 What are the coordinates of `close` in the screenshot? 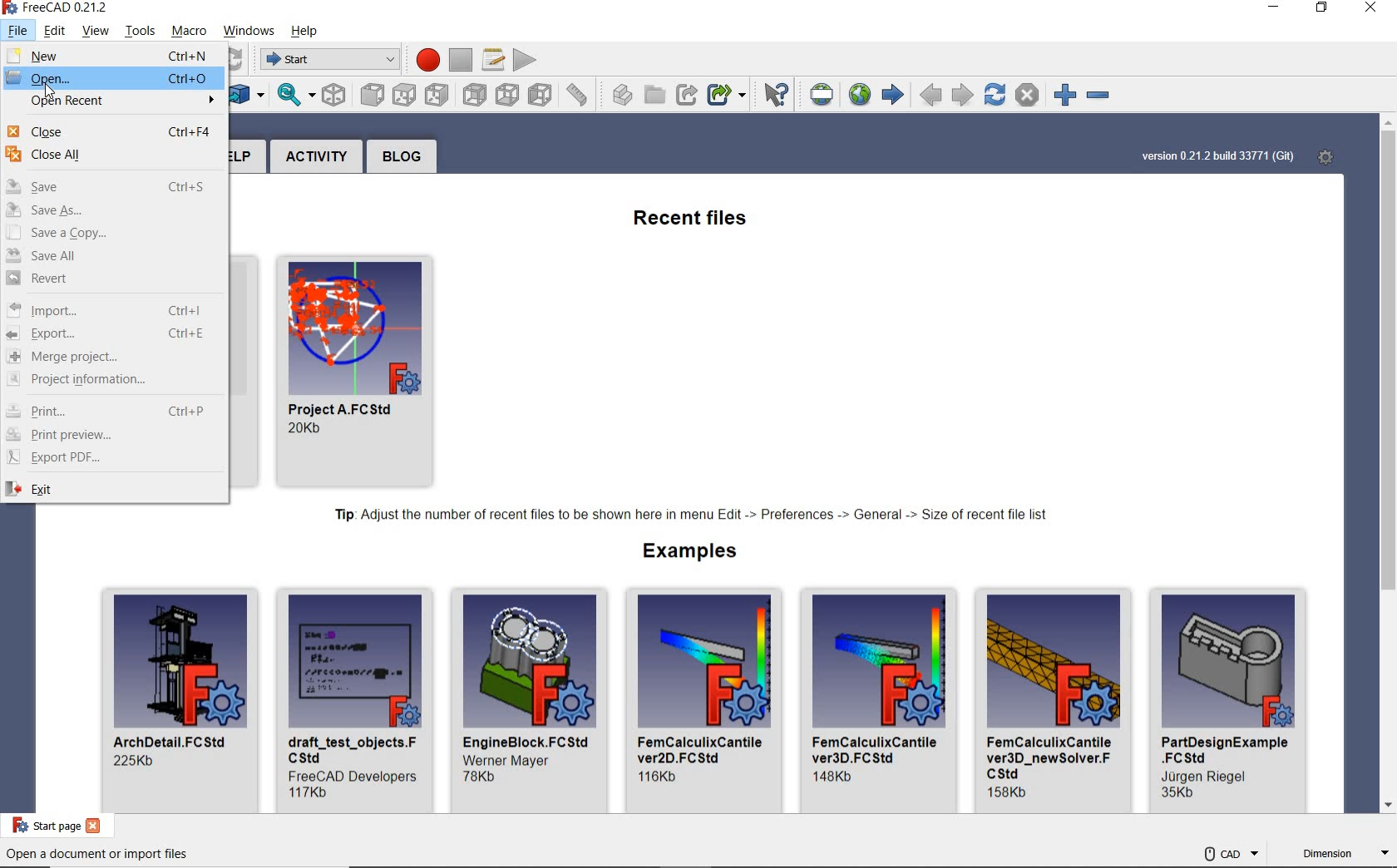 It's located at (95, 826).